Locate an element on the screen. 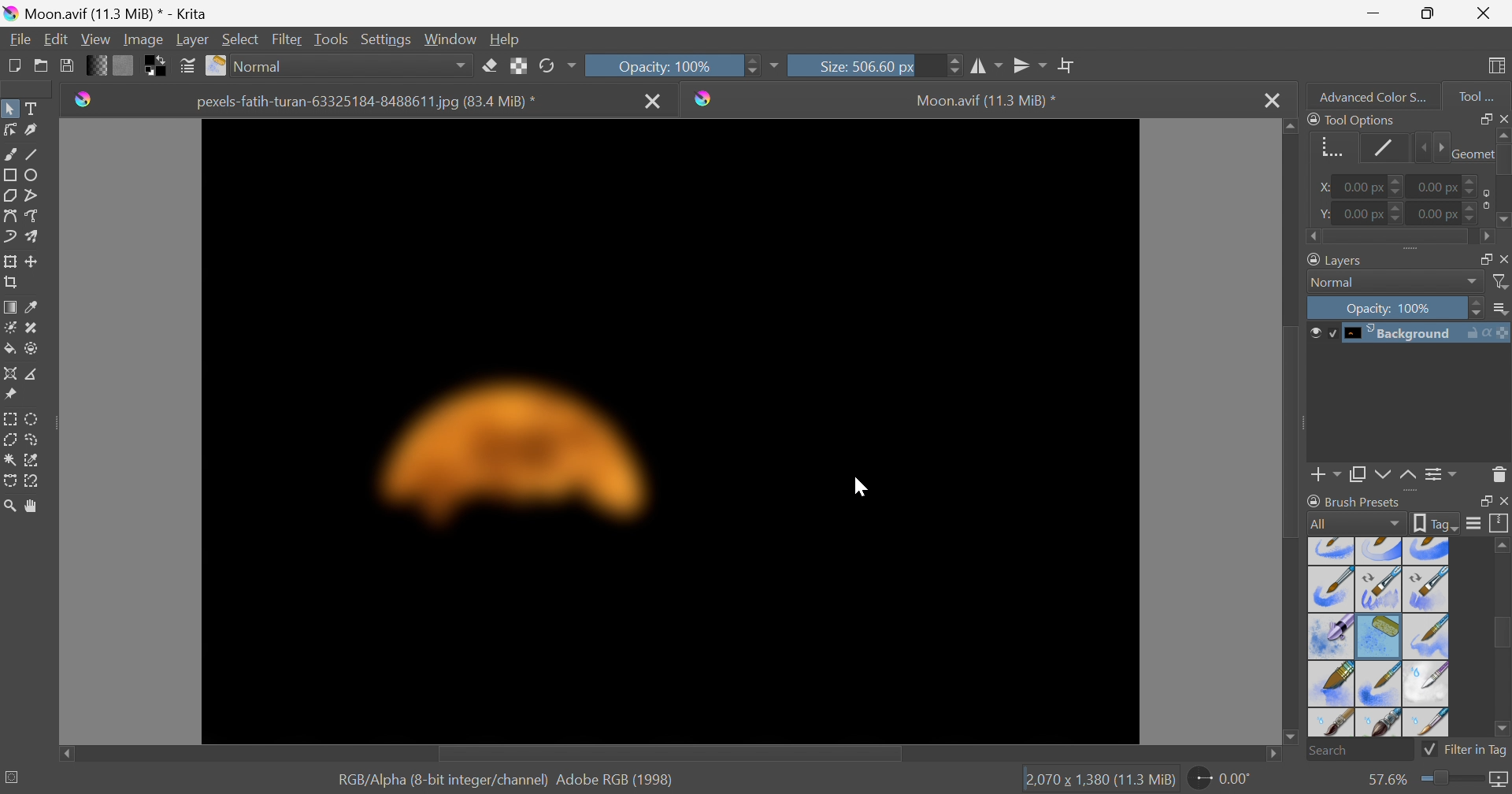 Image resolution: width=1512 pixels, height=794 pixels. Scroll down is located at coordinates (1289, 740).